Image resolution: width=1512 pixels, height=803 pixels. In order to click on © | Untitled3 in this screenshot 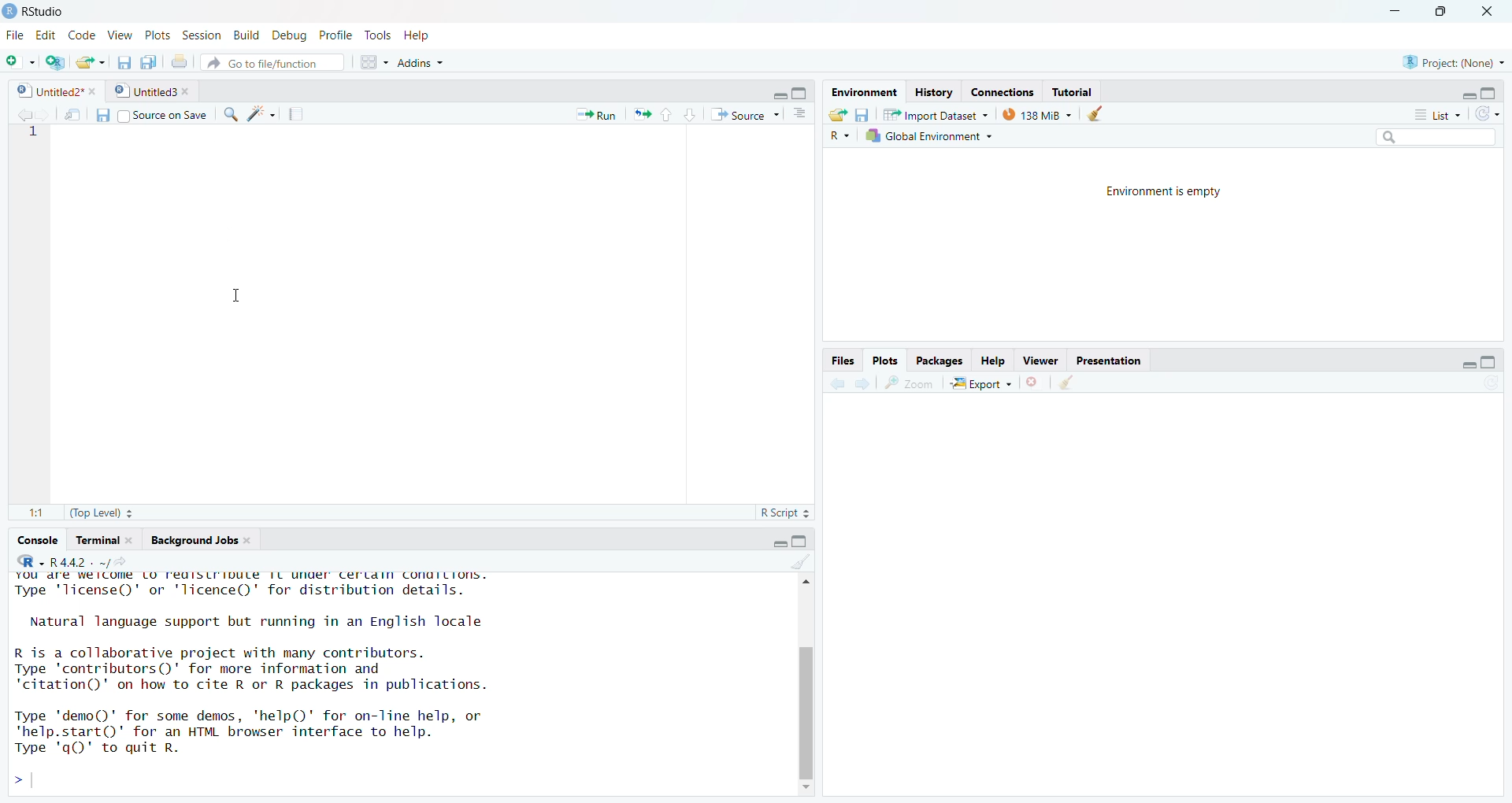, I will do `click(139, 90)`.